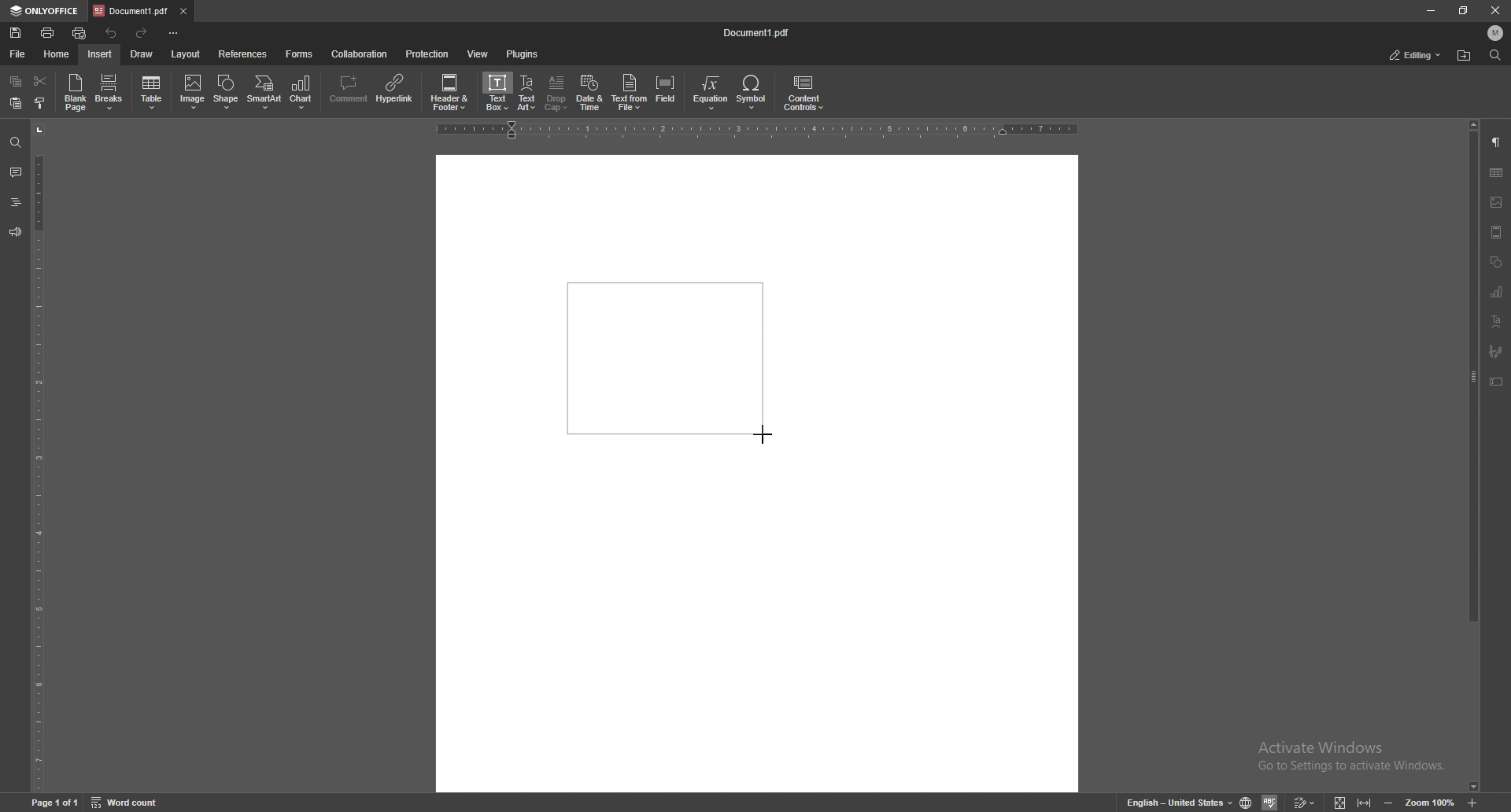  What do you see at coordinates (1495, 292) in the screenshot?
I see `chart` at bounding box center [1495, 292].